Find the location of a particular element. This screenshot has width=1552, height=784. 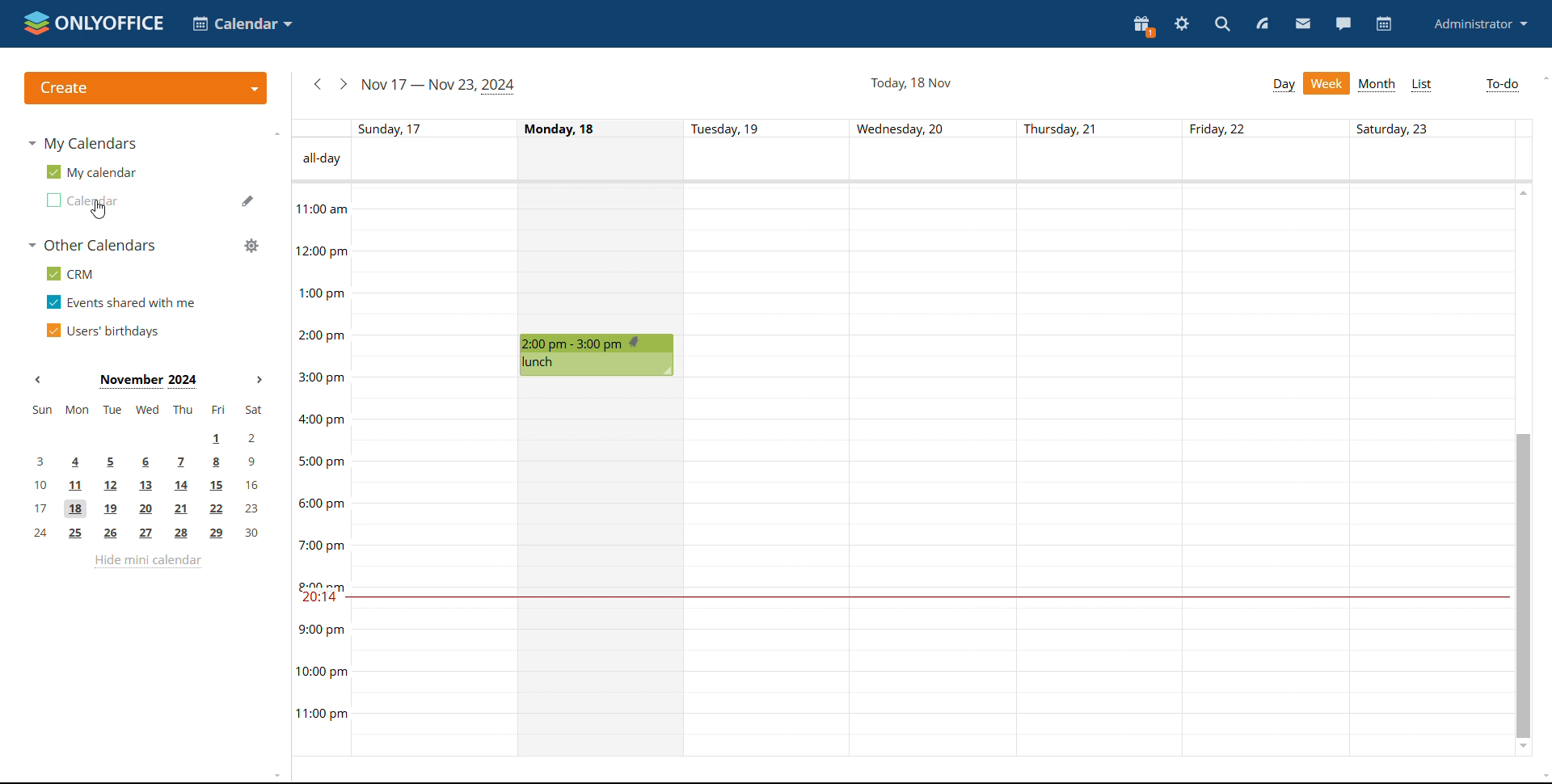

next week is located at coordinates (344, 85).